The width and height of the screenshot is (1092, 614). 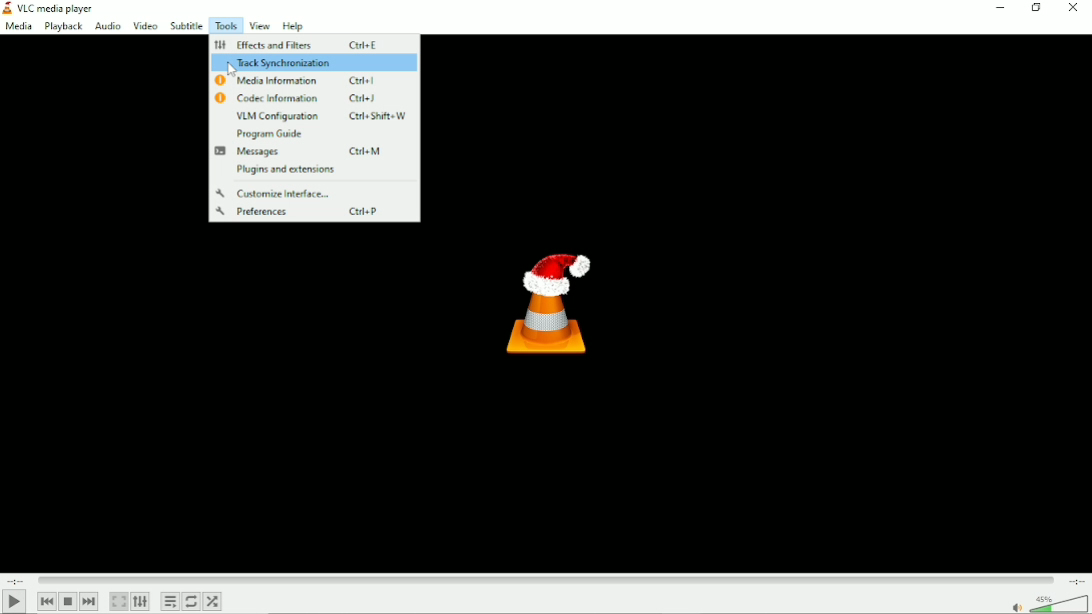 What do you see at coordinates (186, 25) in the screenshot?
I see `subtitle` at bounding box center [186, 25].